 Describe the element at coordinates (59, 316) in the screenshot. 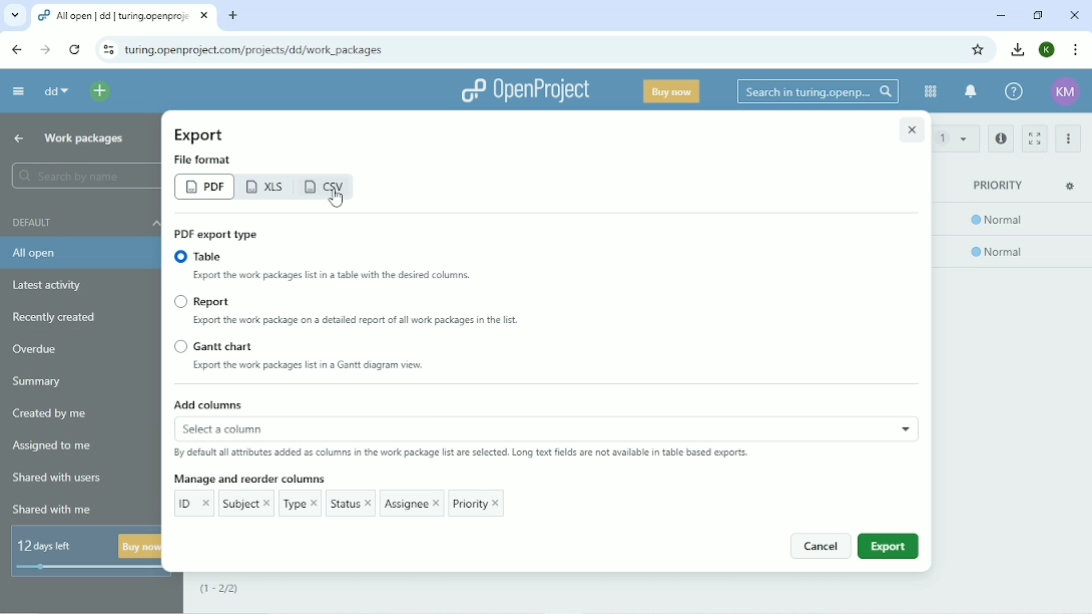

I see `Recently created` at that location.